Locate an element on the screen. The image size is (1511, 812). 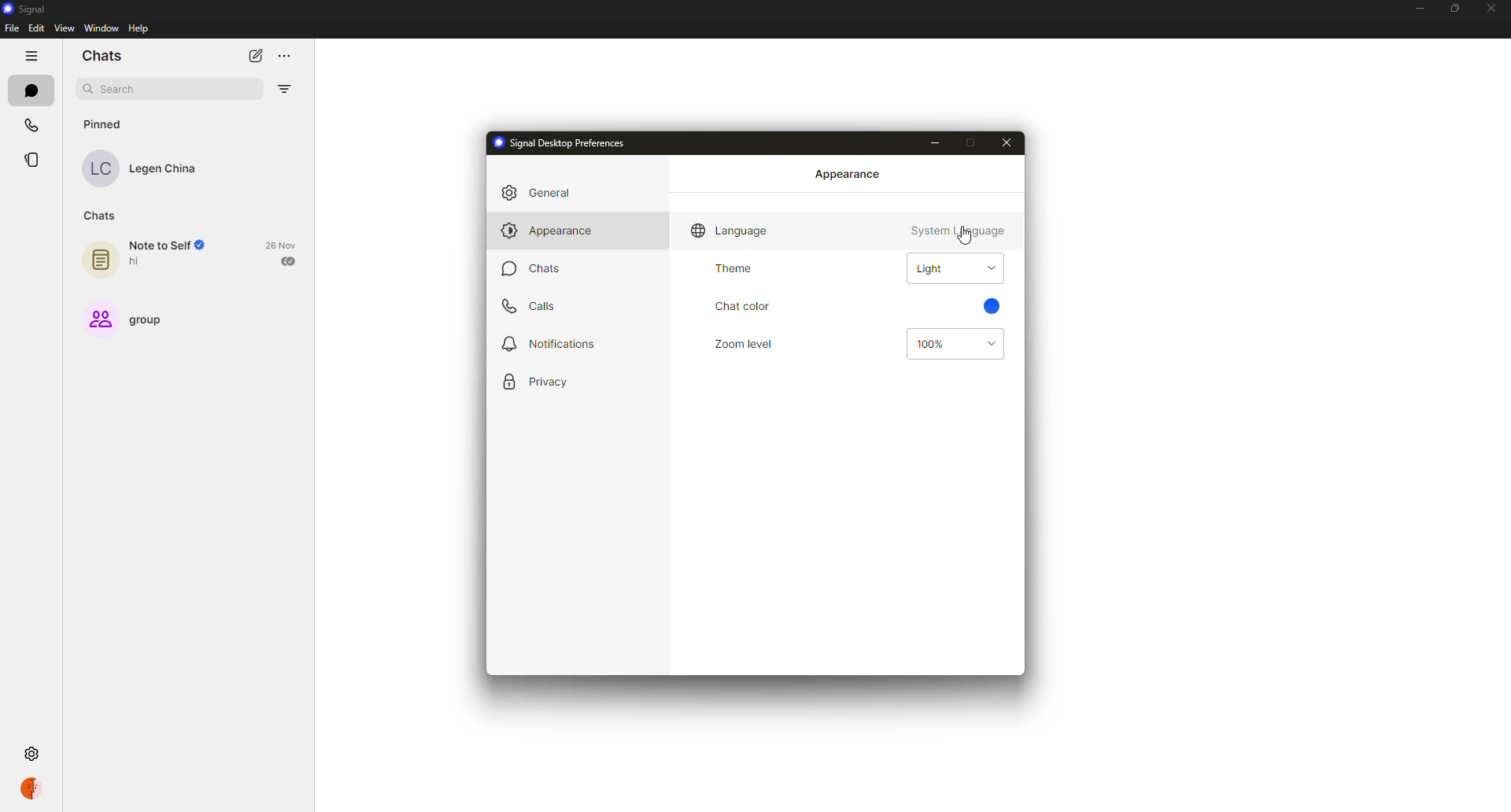
minimize is located at coordinates (1417, 9).